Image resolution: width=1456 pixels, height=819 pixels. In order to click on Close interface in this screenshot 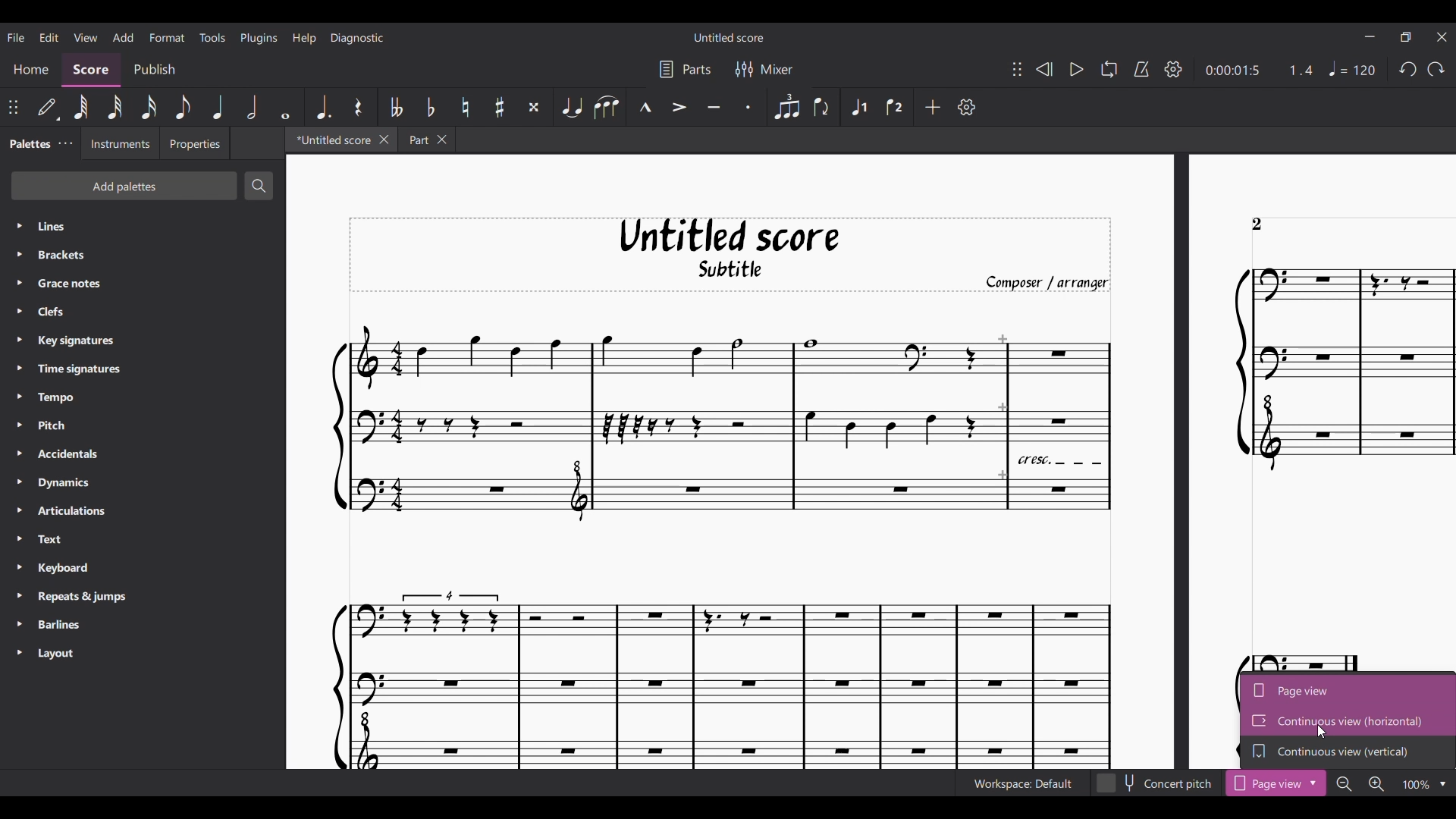, I will do `click(1443, 37)`.